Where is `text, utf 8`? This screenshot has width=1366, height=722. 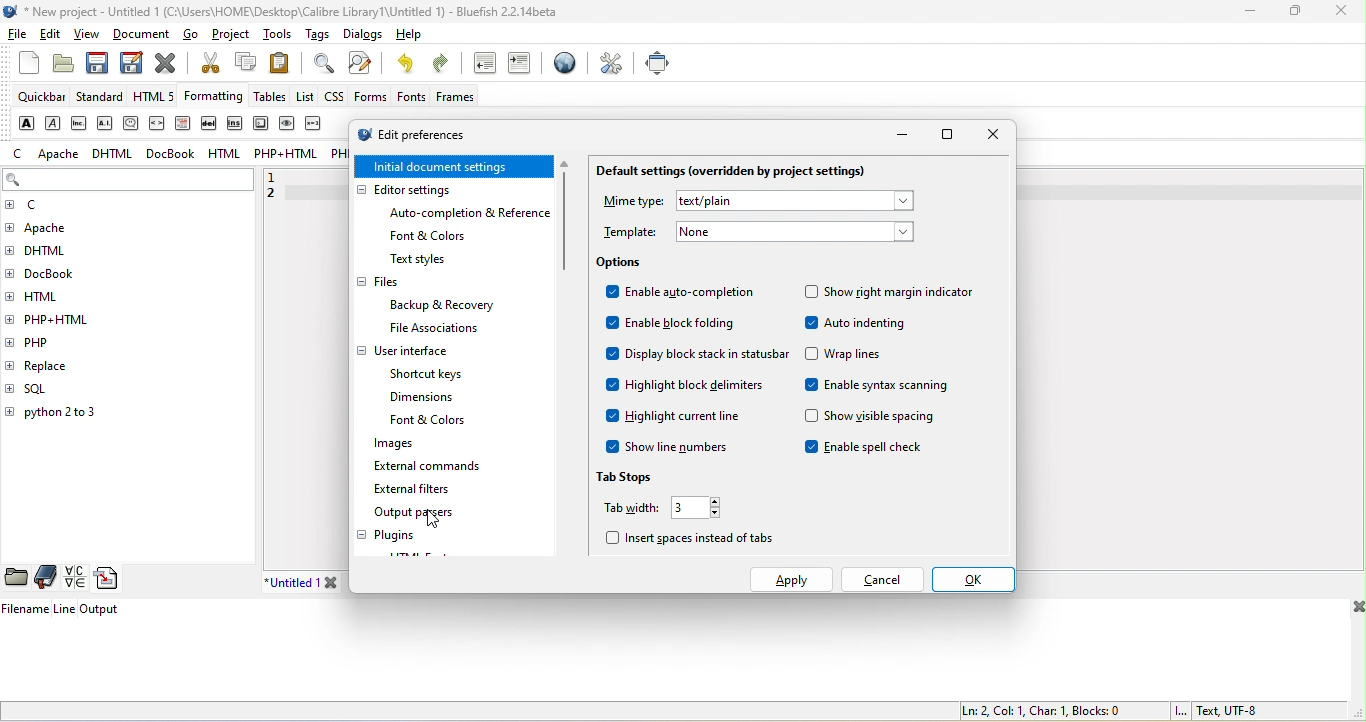
text, utf 8 is located at coordinates (1215, 711).